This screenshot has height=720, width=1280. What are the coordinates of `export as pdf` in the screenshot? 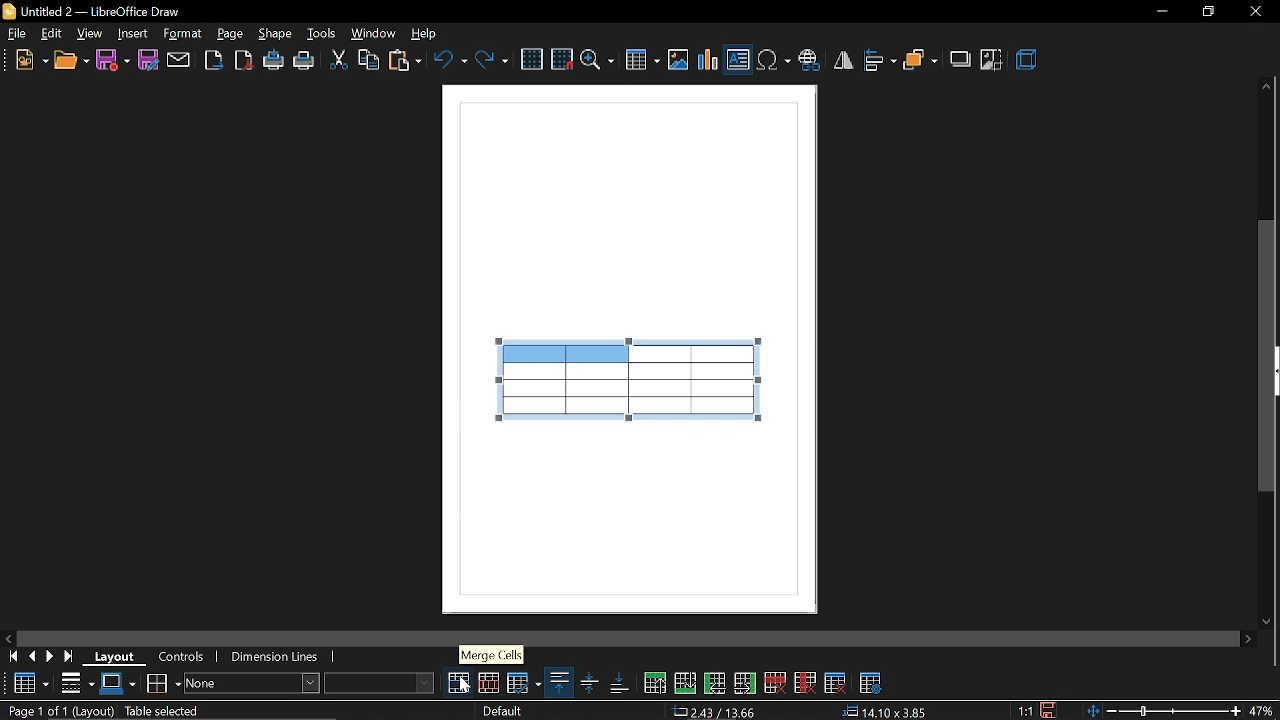 It's located at (241, 60).